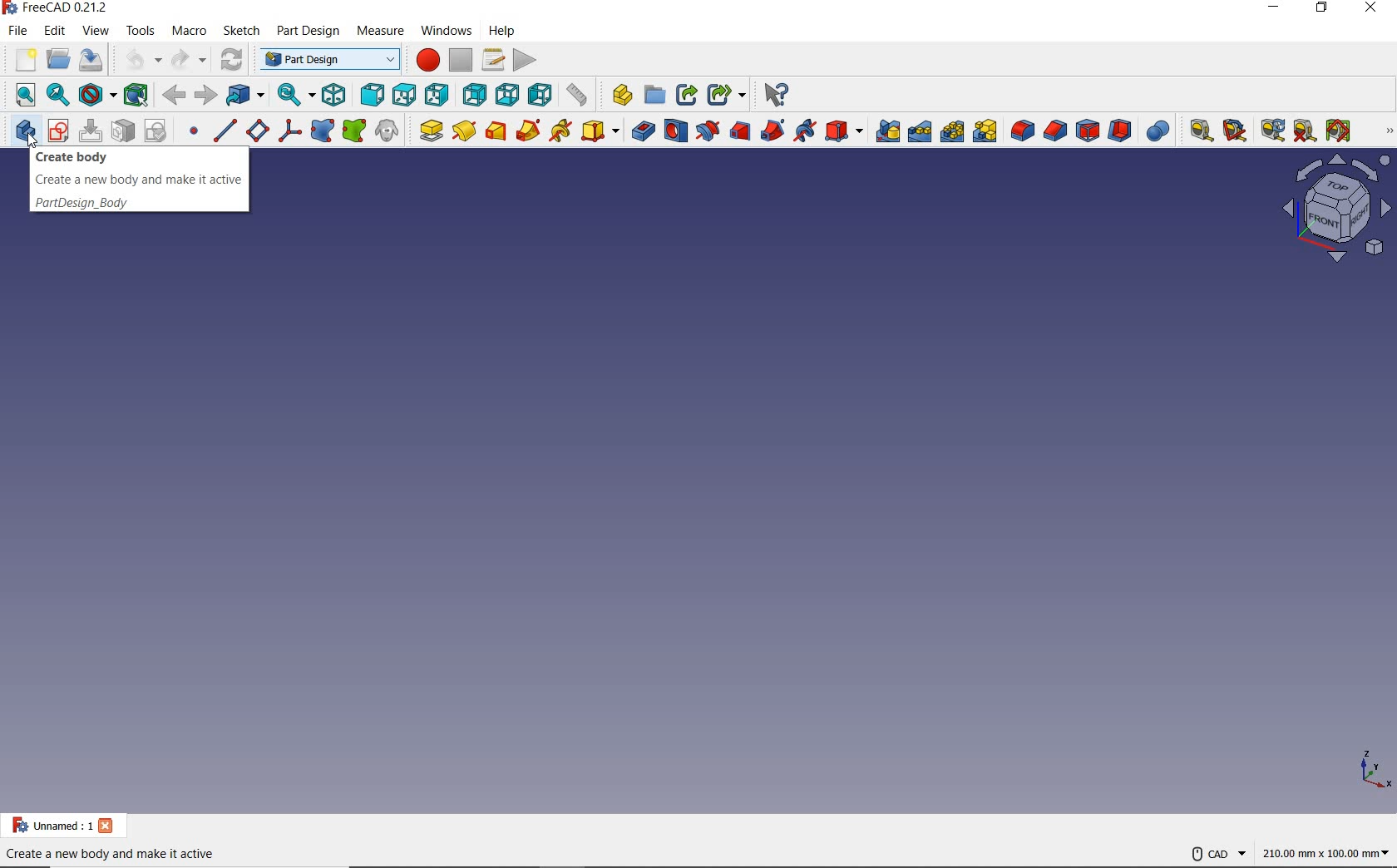  What do you see at coordinates (506, 96) in the screenshot?
I see `bottom` at bounding box center [506, 96].